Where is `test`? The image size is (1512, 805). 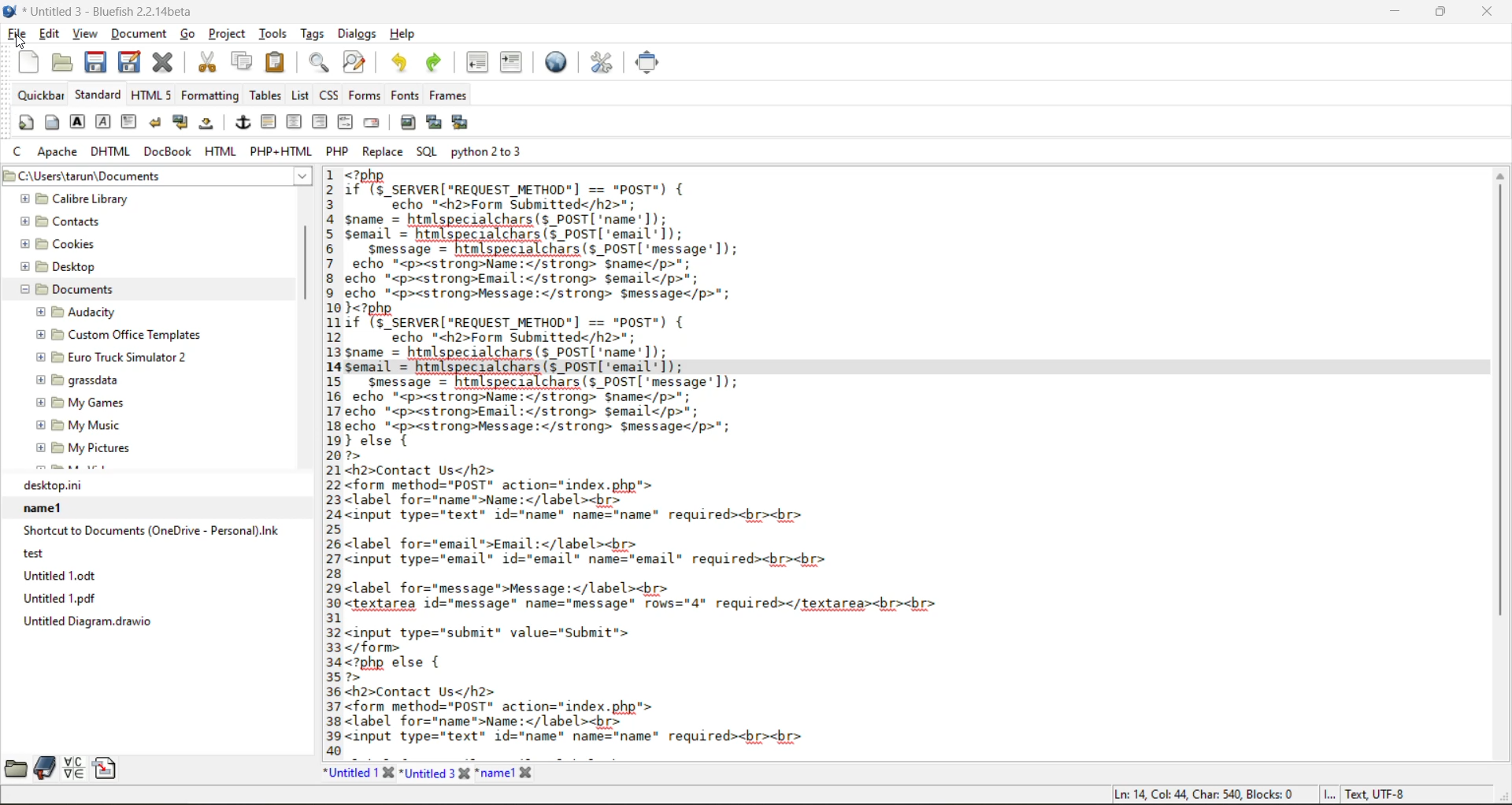
test is located at coordinates (142, 553).